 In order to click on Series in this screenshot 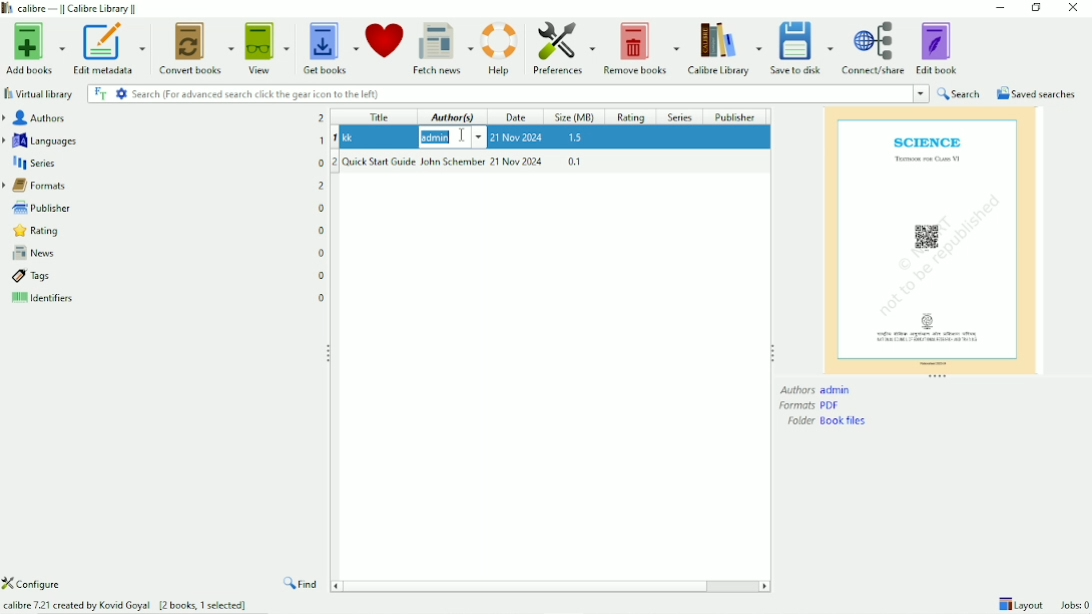, I will do `click(163, 164)`.